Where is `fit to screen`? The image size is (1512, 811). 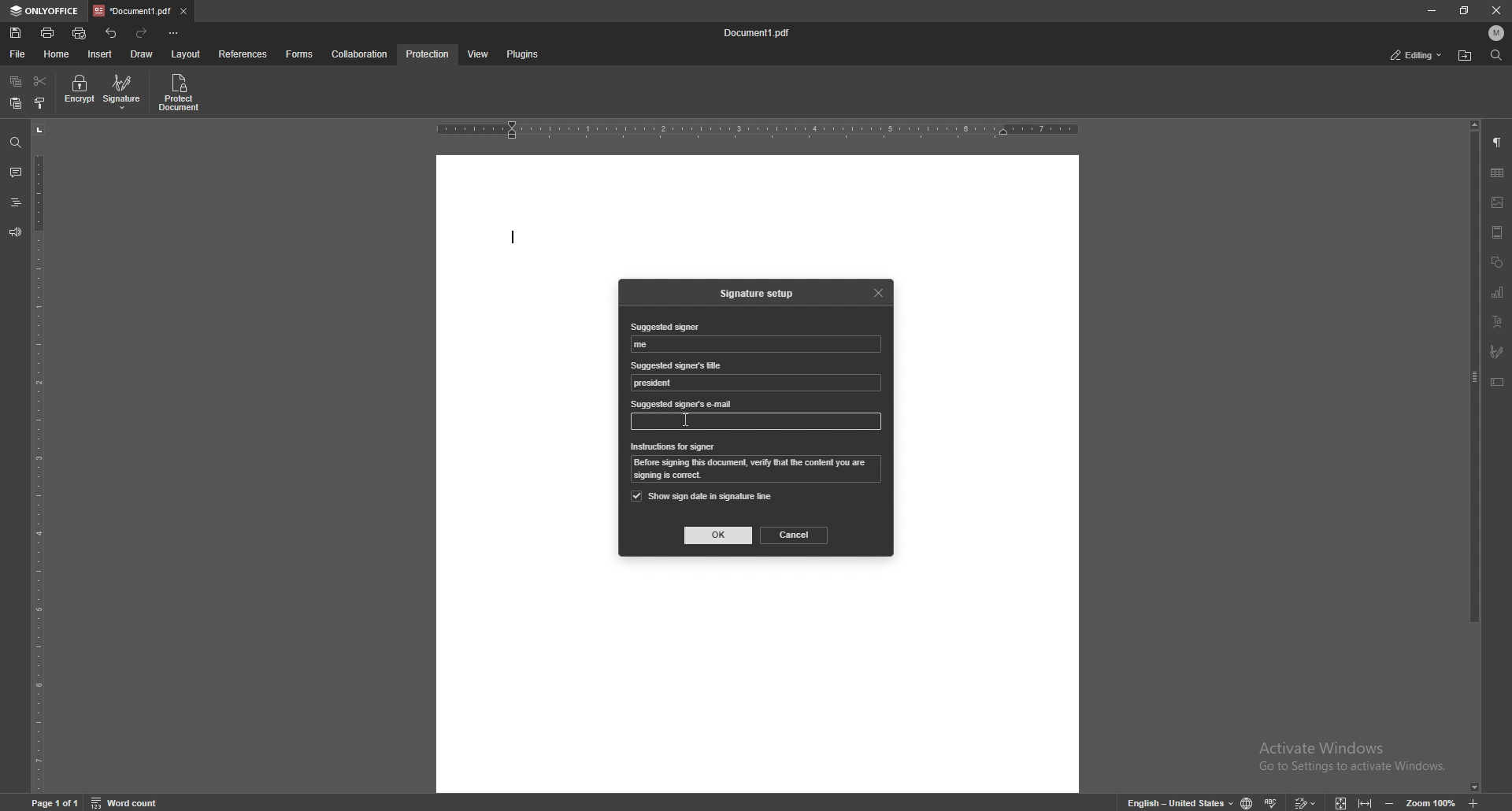
fit to screen is located at coordinates (1336, 801).